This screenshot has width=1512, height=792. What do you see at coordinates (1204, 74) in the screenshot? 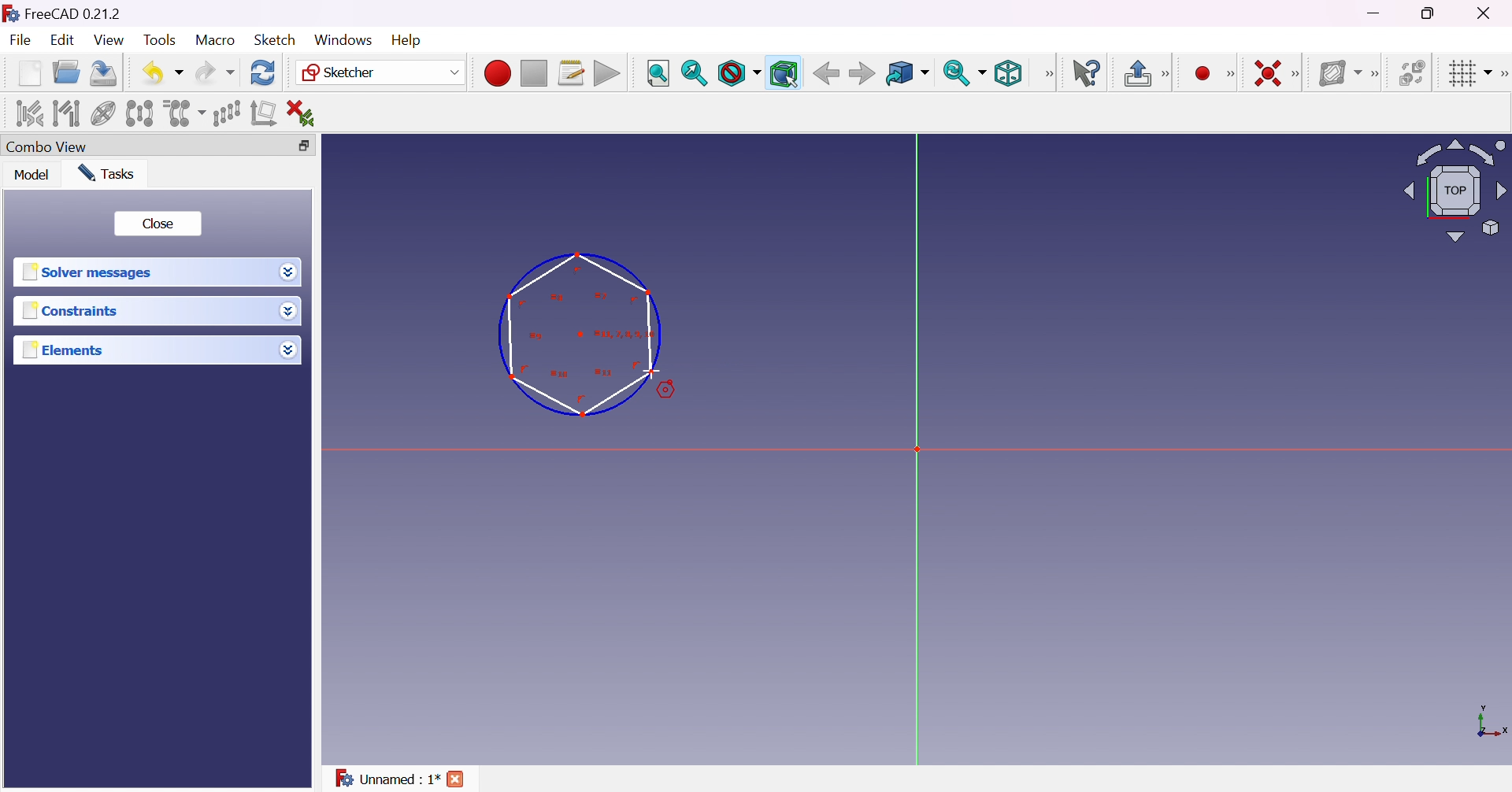
I see `Create point` at bounding box center [1204, 74].